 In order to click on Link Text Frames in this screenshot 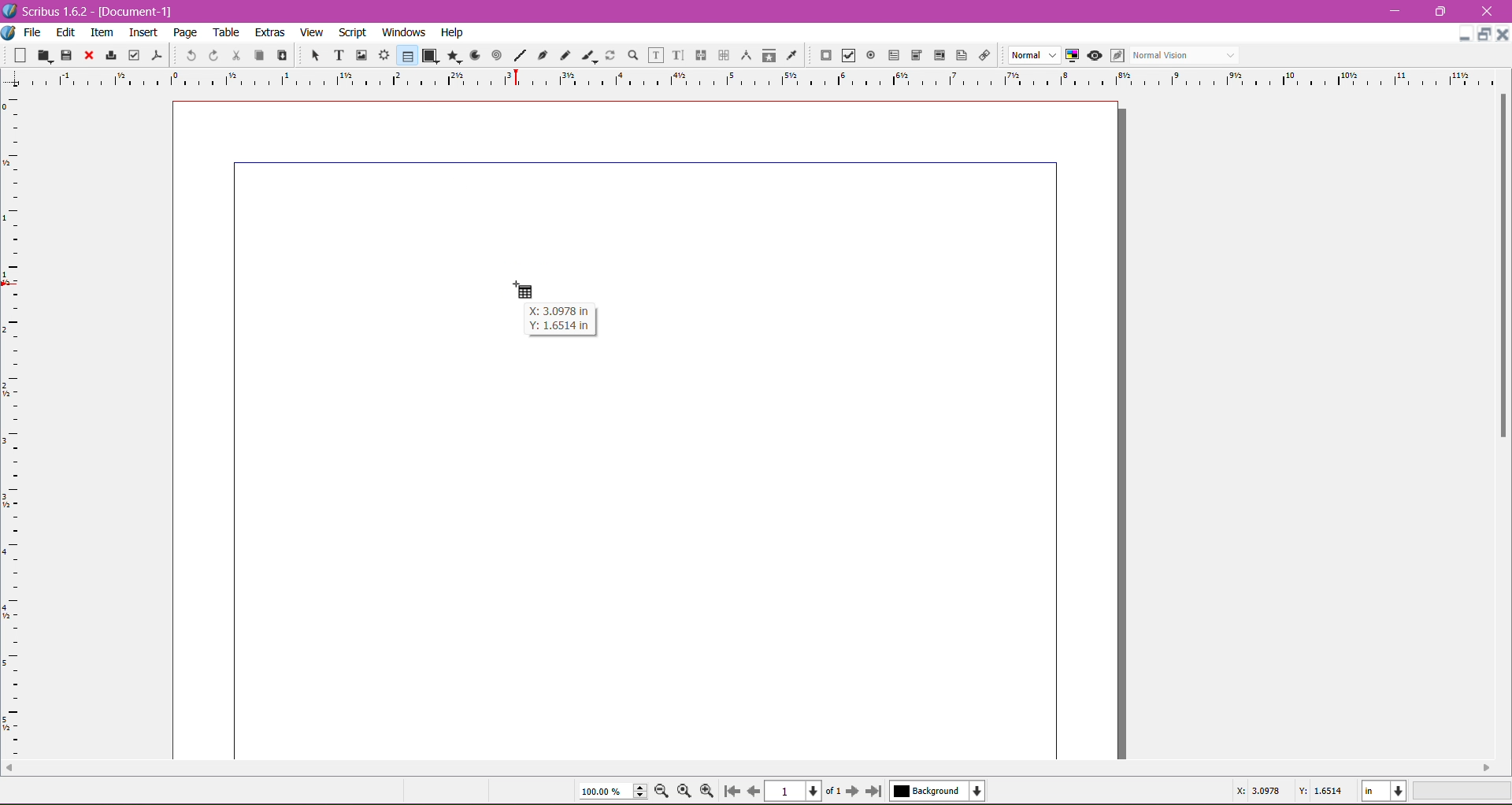, I will do `click(699, 55)`.